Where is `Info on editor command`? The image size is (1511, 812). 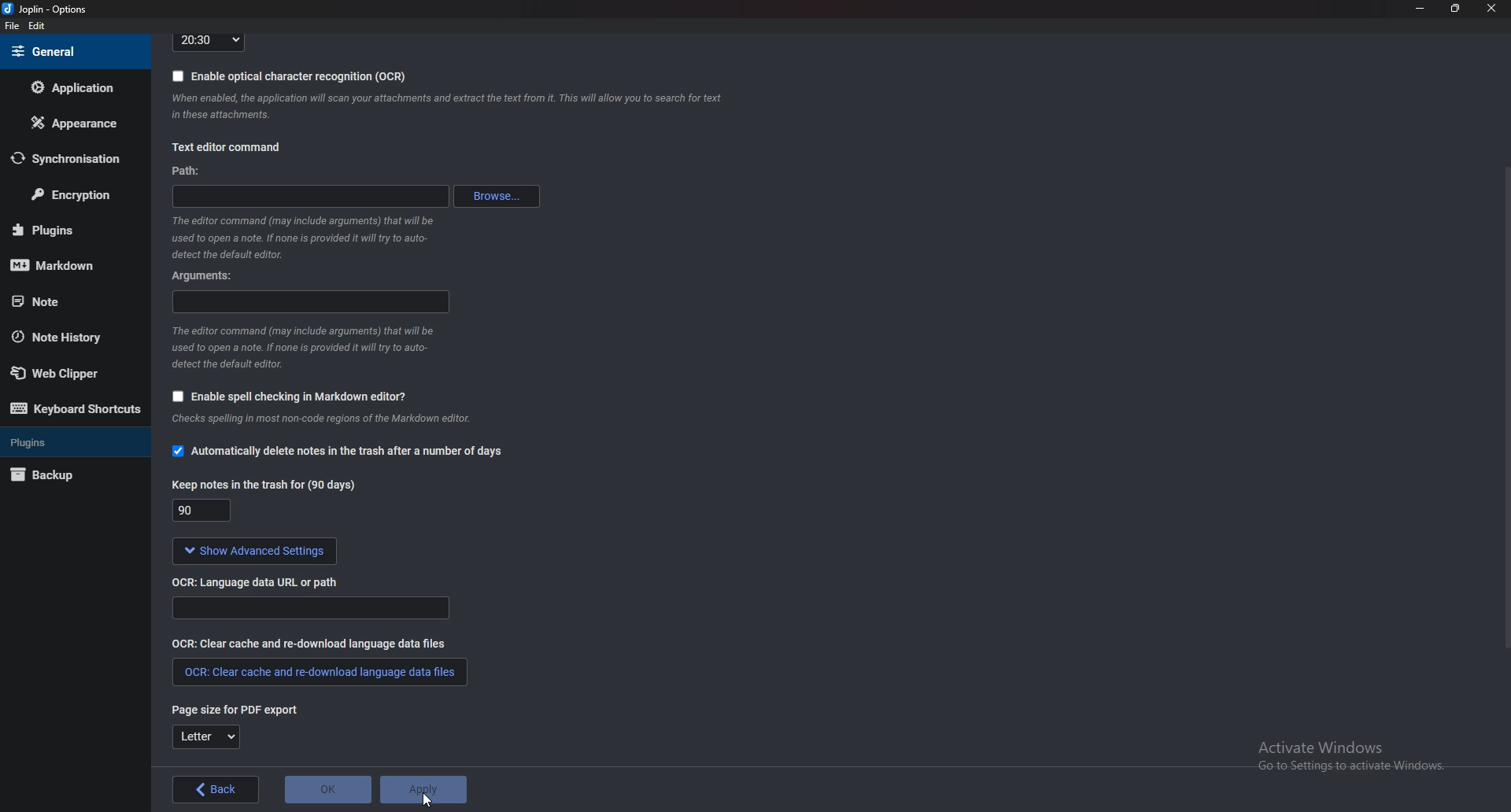
Info on editor command is located at coordinates (298, 237).